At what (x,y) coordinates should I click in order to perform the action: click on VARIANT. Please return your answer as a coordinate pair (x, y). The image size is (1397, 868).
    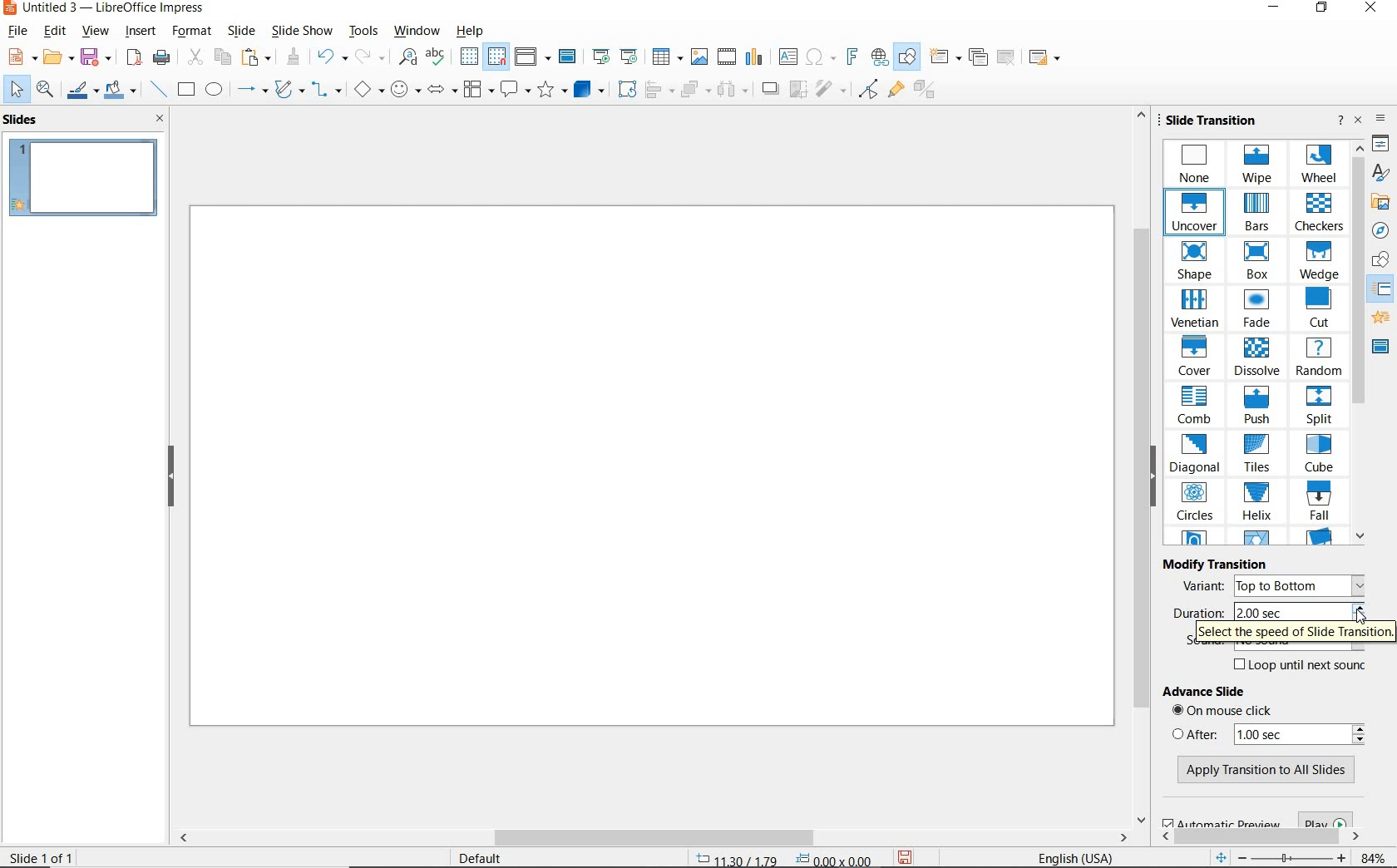
    Looking at the image, I should click on (1271, 585).